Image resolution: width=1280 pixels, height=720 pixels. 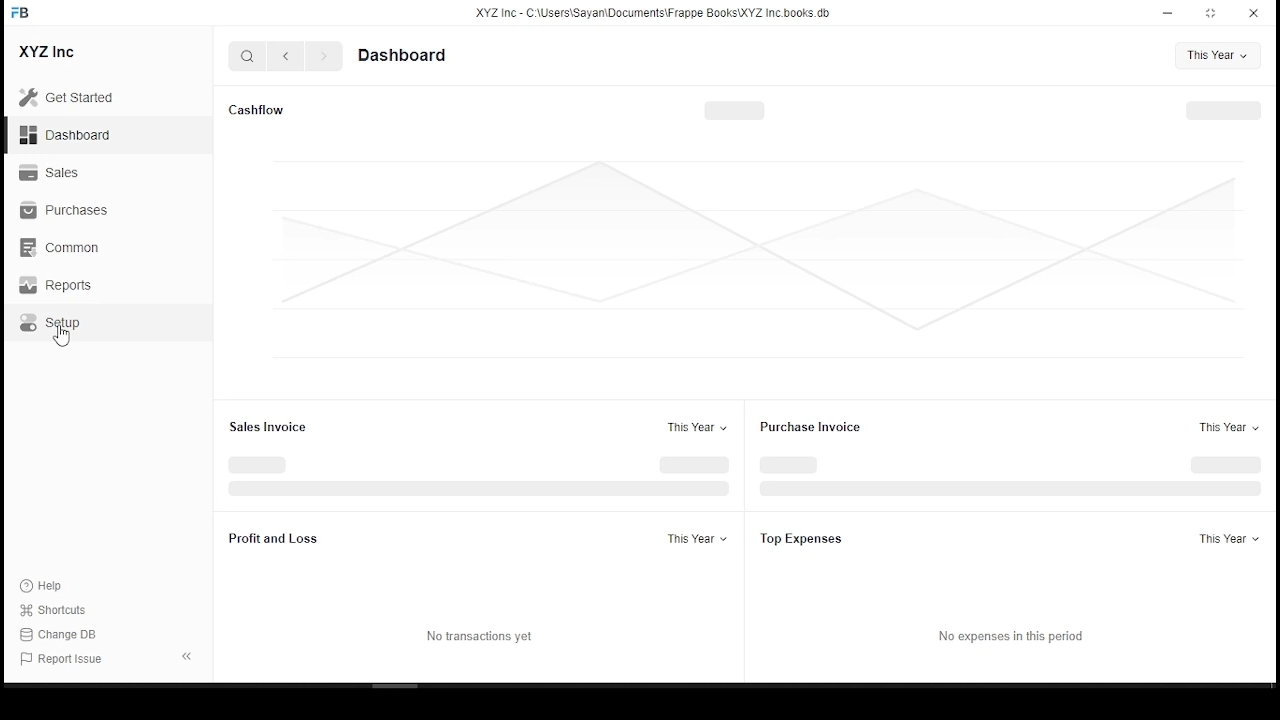 I want to click on next, so click(x=323, y=57).